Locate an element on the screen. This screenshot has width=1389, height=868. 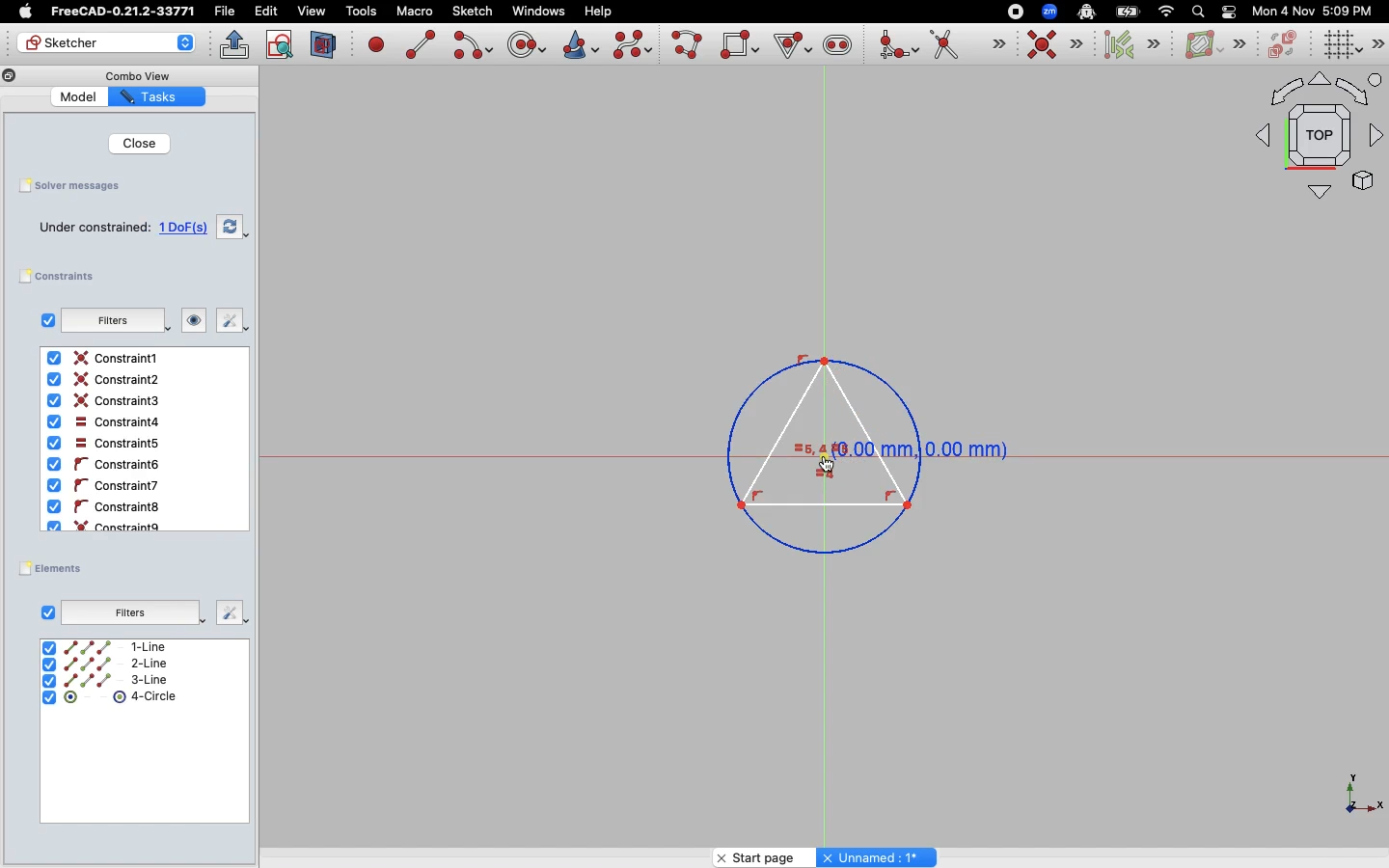
Macro is located at coordinates (413, 12).